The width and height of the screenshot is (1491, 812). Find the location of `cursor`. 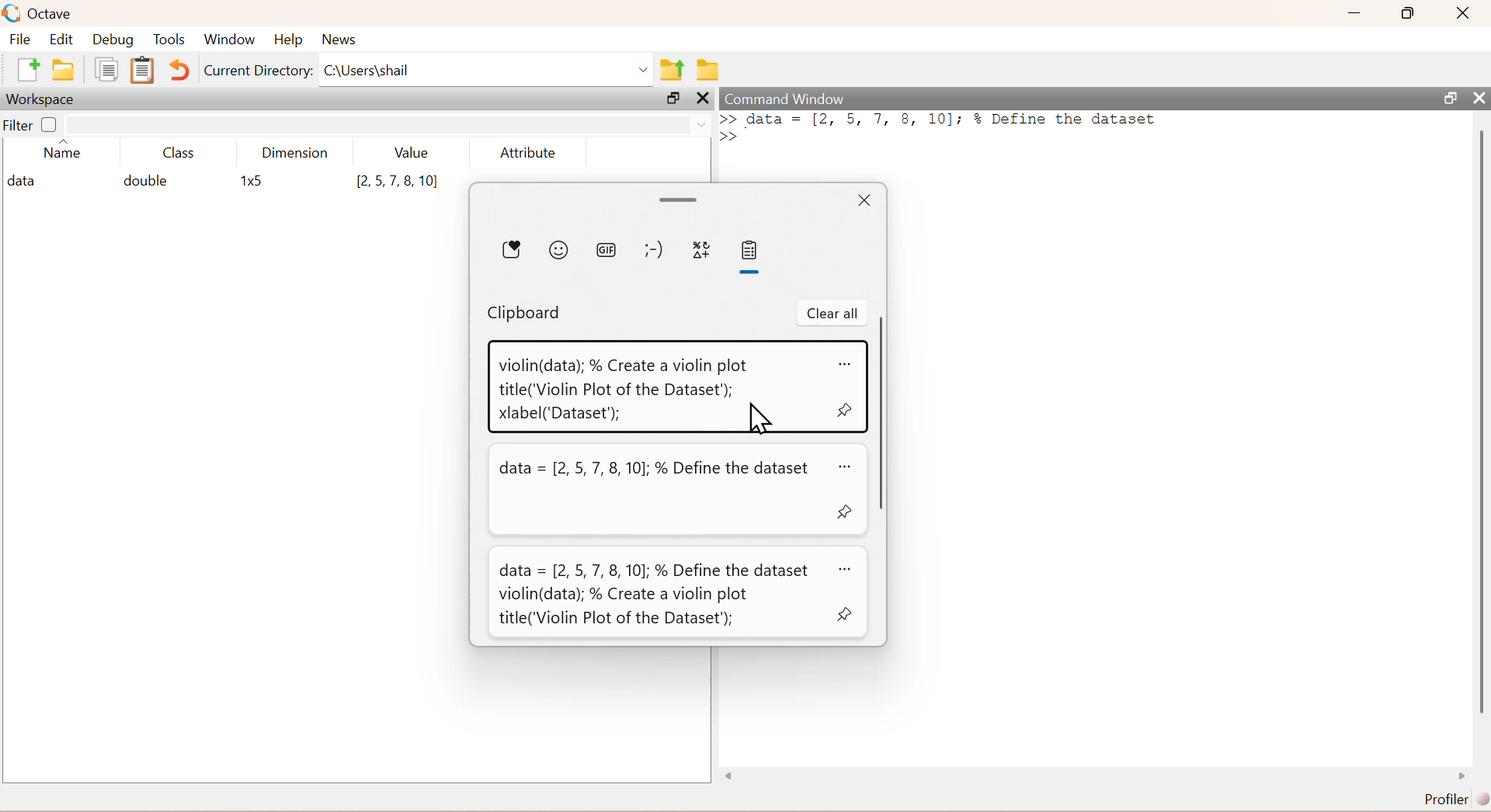

cursor is located at coordinates (758, 417).